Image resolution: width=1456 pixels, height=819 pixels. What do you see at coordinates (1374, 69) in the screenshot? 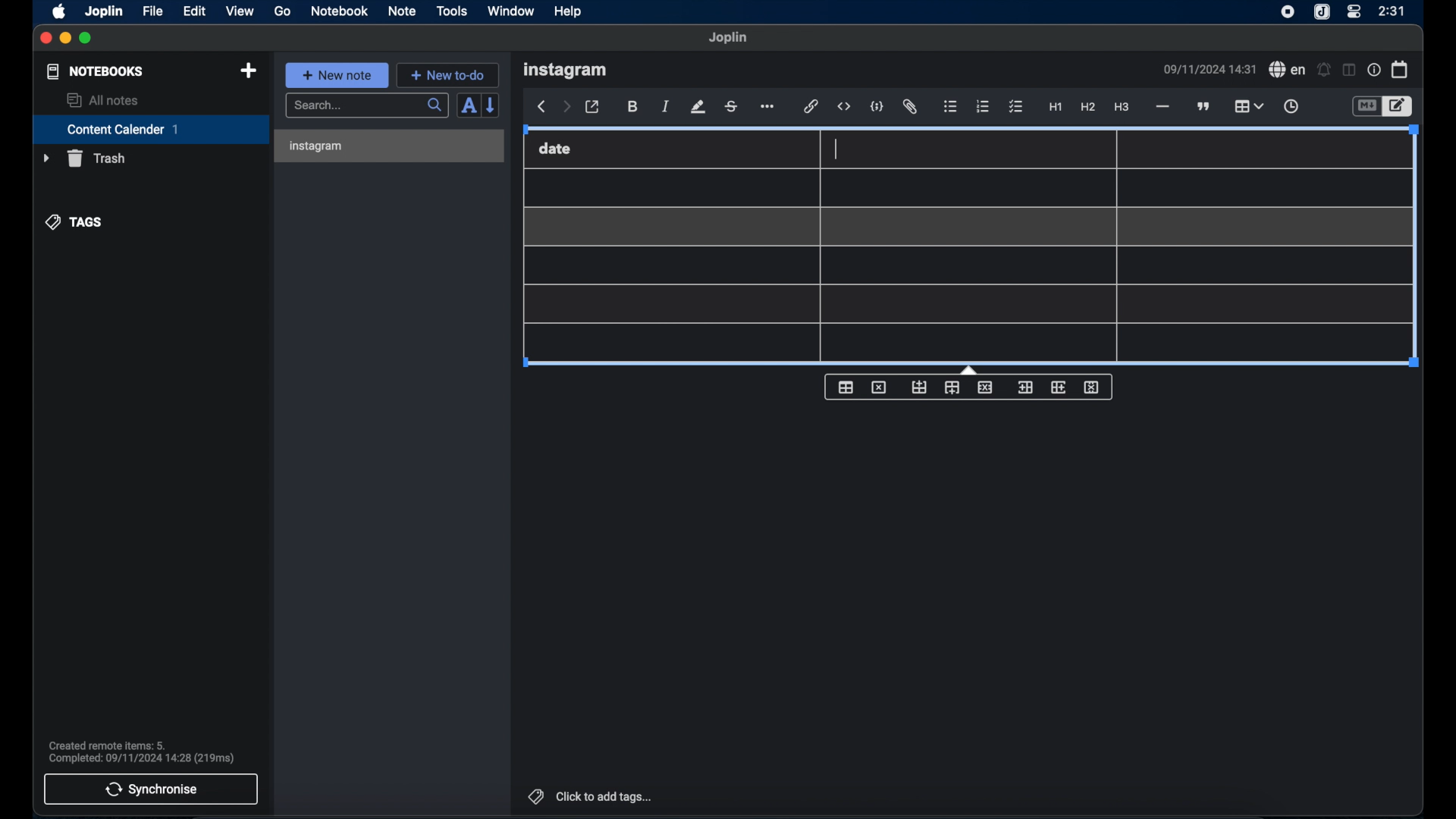
I see `note properties` at bounding box center [1374, 69].